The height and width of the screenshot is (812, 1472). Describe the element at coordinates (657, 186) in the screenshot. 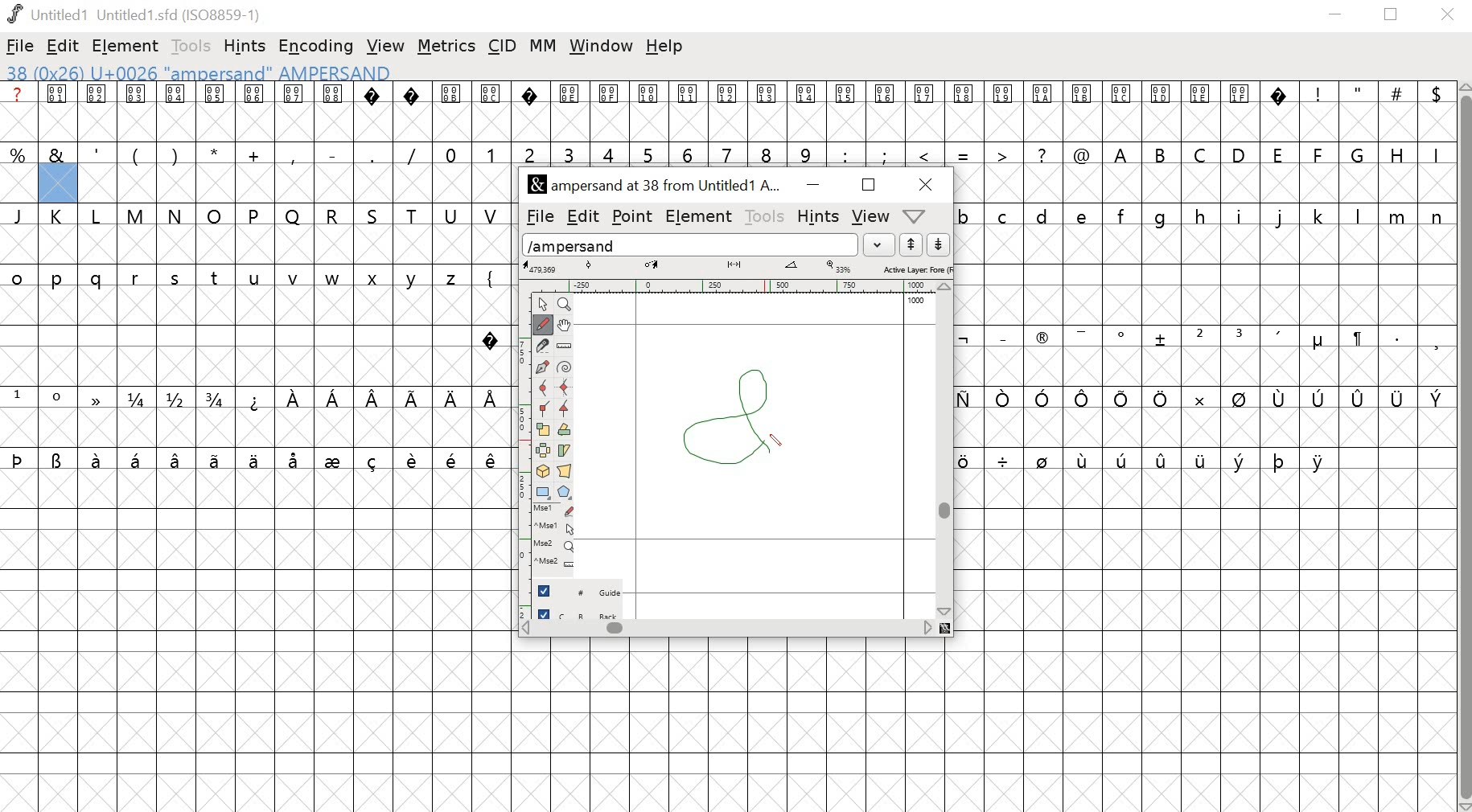

I see `ampersand at 38 from Untitled1 A...` at that location.